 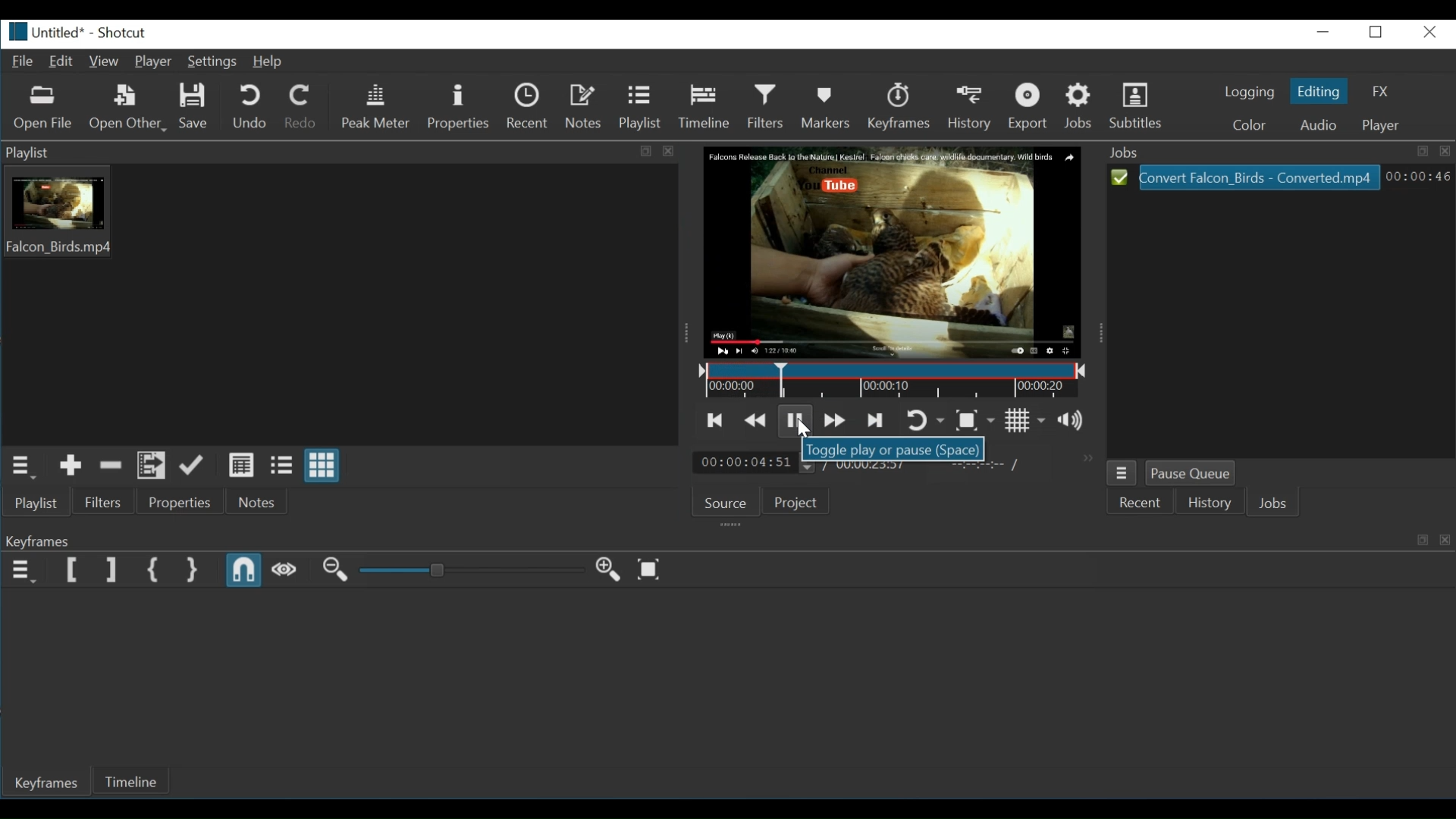 What do you see at coordinates (833, 421) in the screenshot?
I see `Play quickly forward` at bounding box center [833, 421].